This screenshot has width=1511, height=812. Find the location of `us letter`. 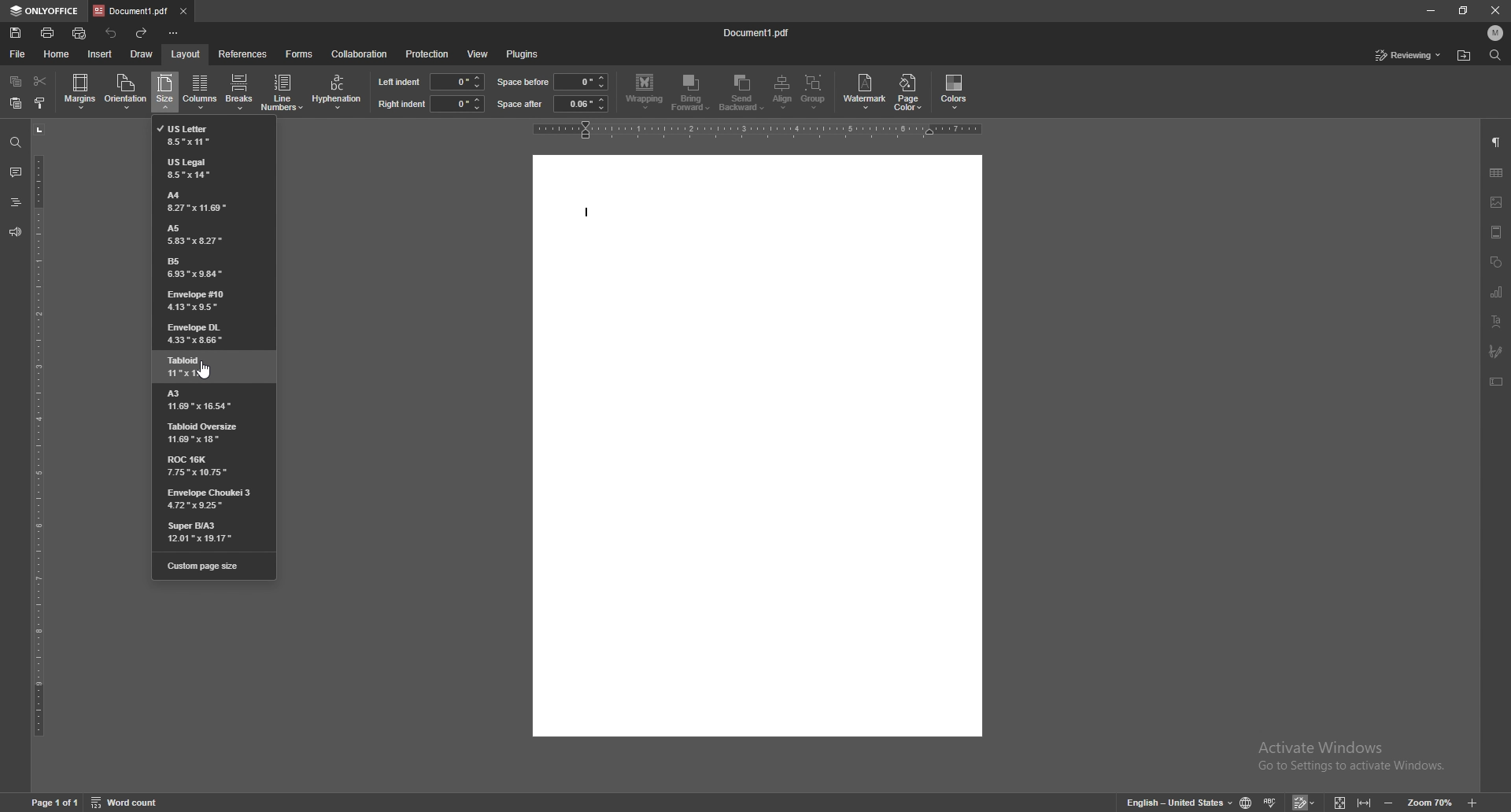

us letter is located at coordinates (210, 135).